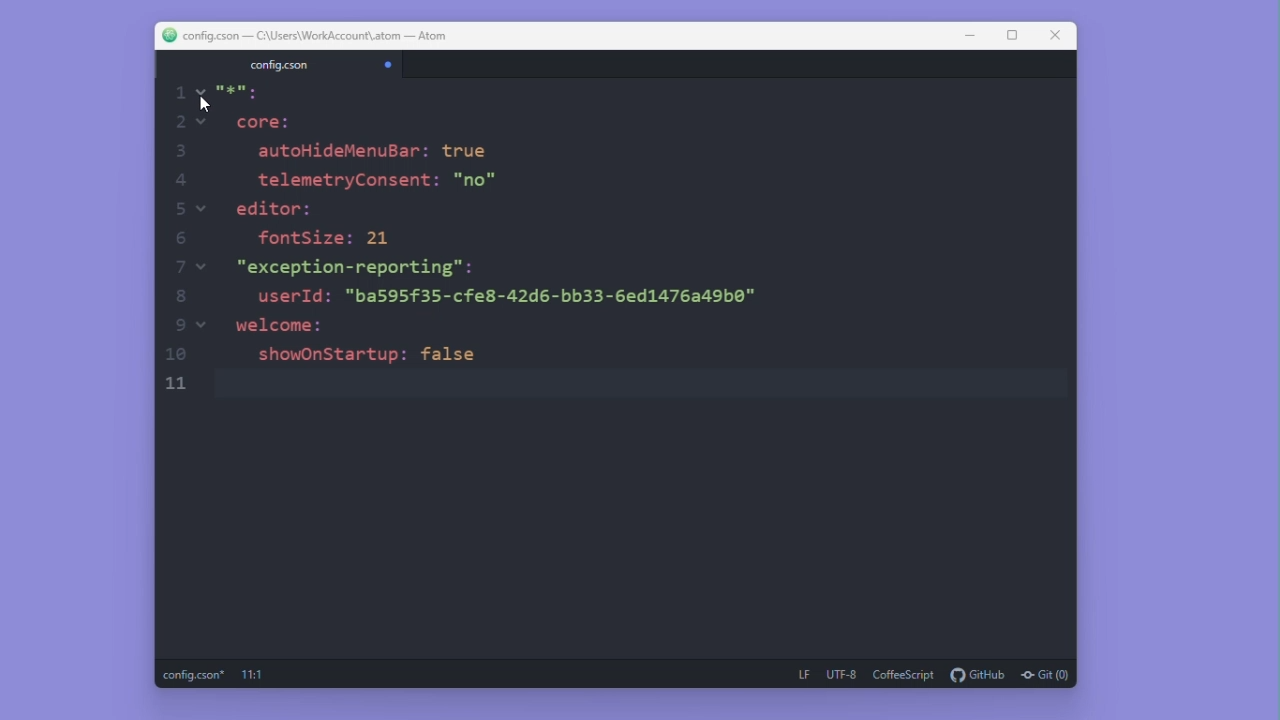 This screenshot has height=720, width=1280. I want to click on 11:1, so click(263, 674).